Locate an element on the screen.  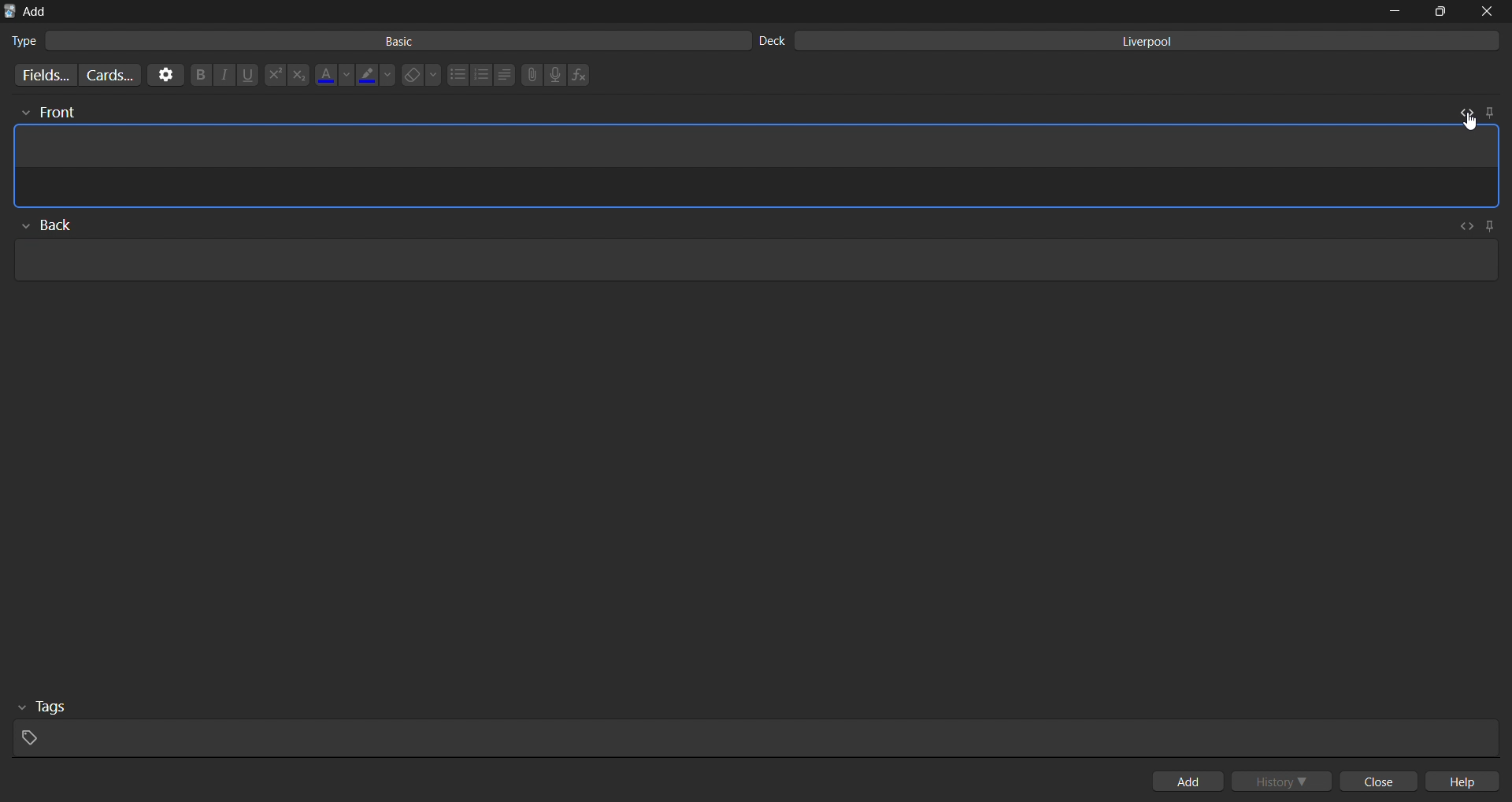
close is located at coordinates (1383, 782).